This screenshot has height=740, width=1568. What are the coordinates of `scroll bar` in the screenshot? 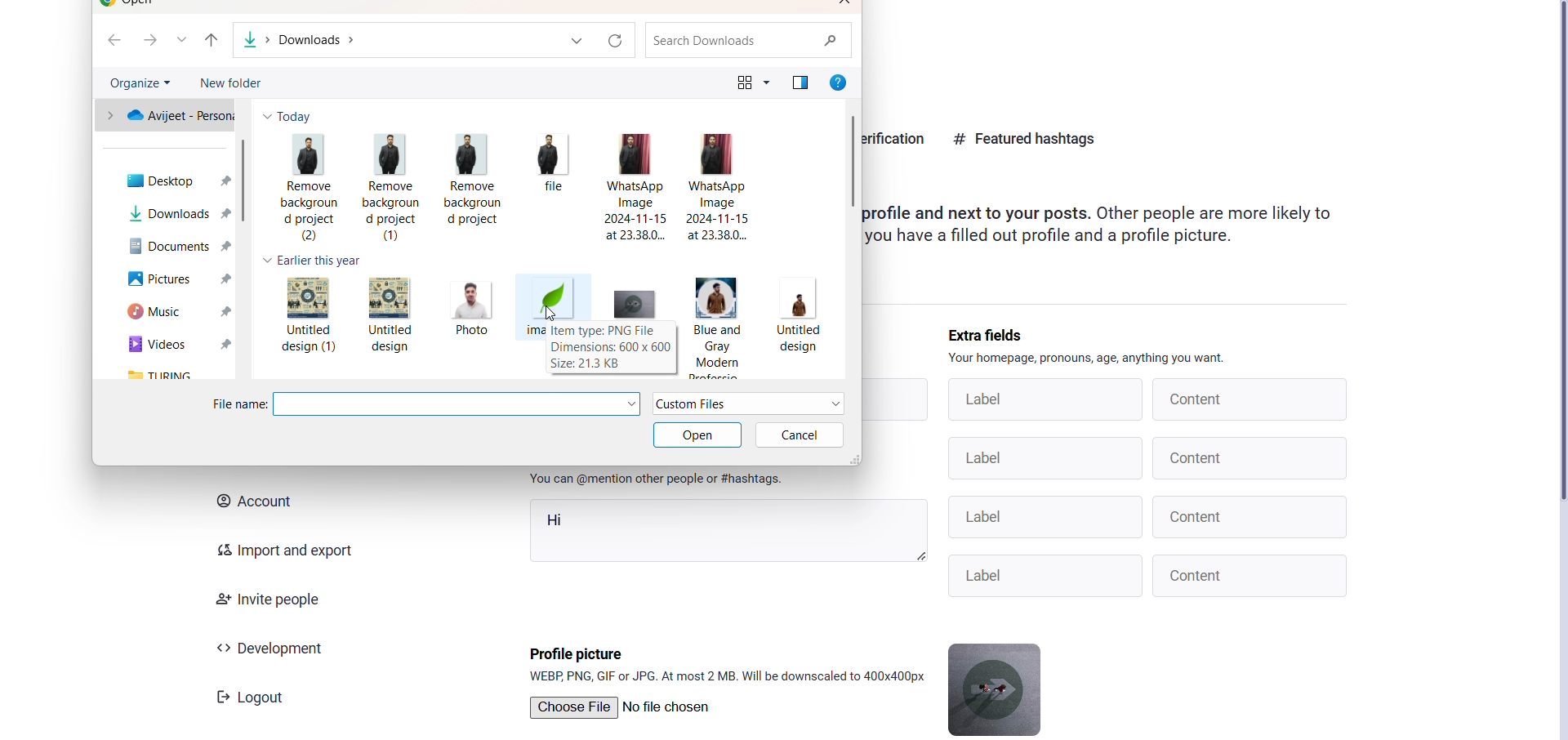 It's located at (246, 182).